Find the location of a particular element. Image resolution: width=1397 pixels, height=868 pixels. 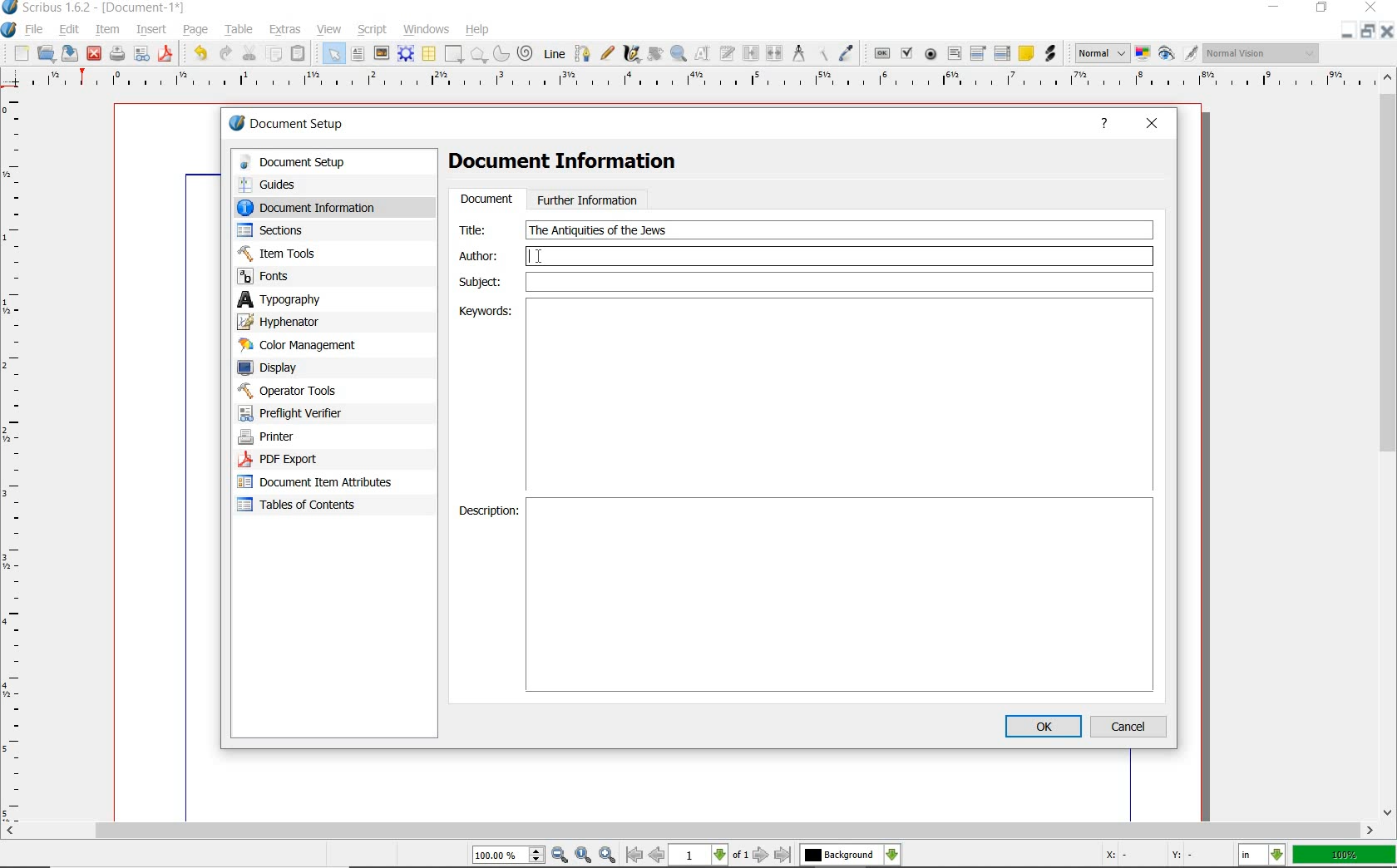

Item Tools is located at coordinates (315, 253).